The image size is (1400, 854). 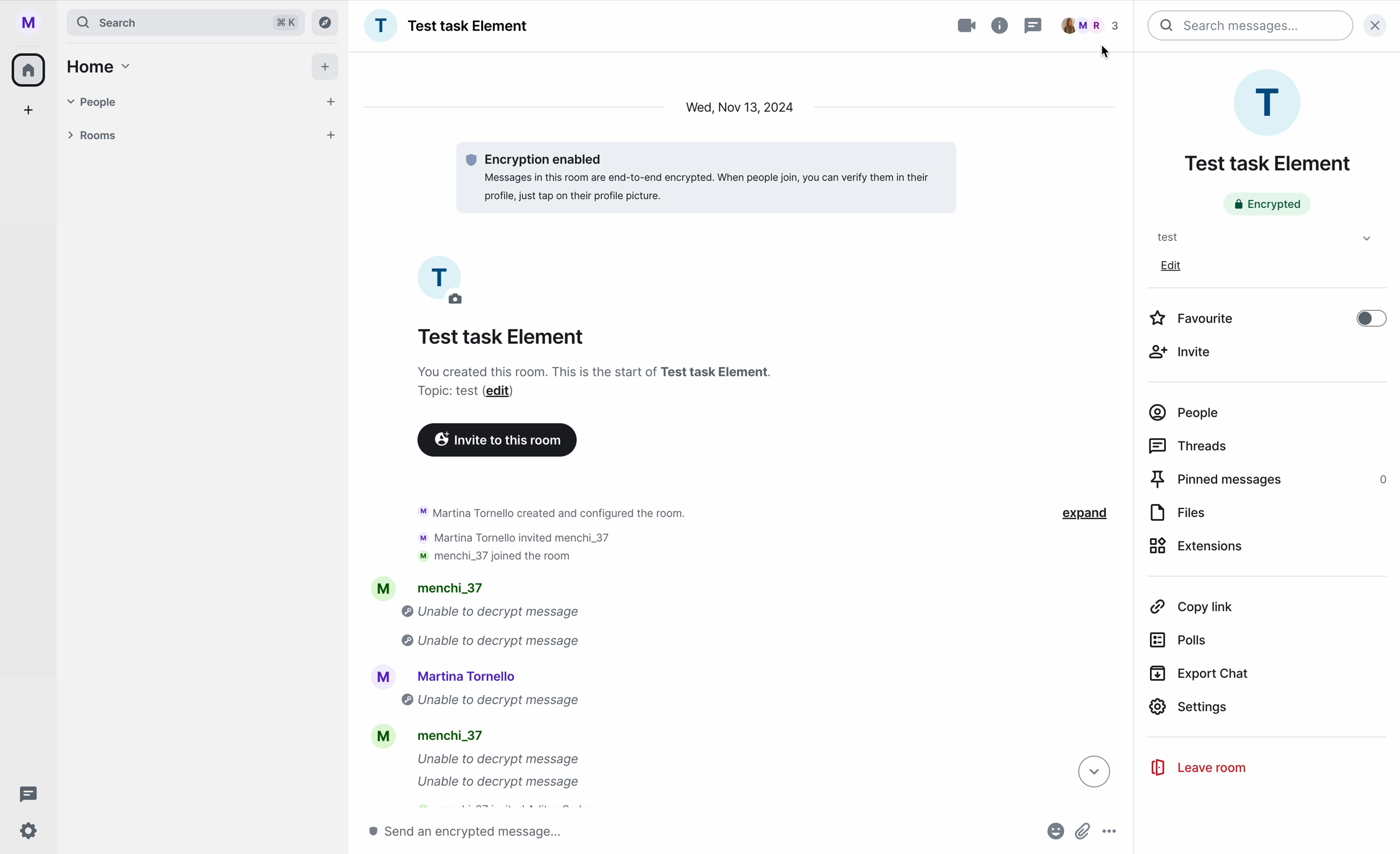 I want to click on export chat, so click(x=1201, y=674).